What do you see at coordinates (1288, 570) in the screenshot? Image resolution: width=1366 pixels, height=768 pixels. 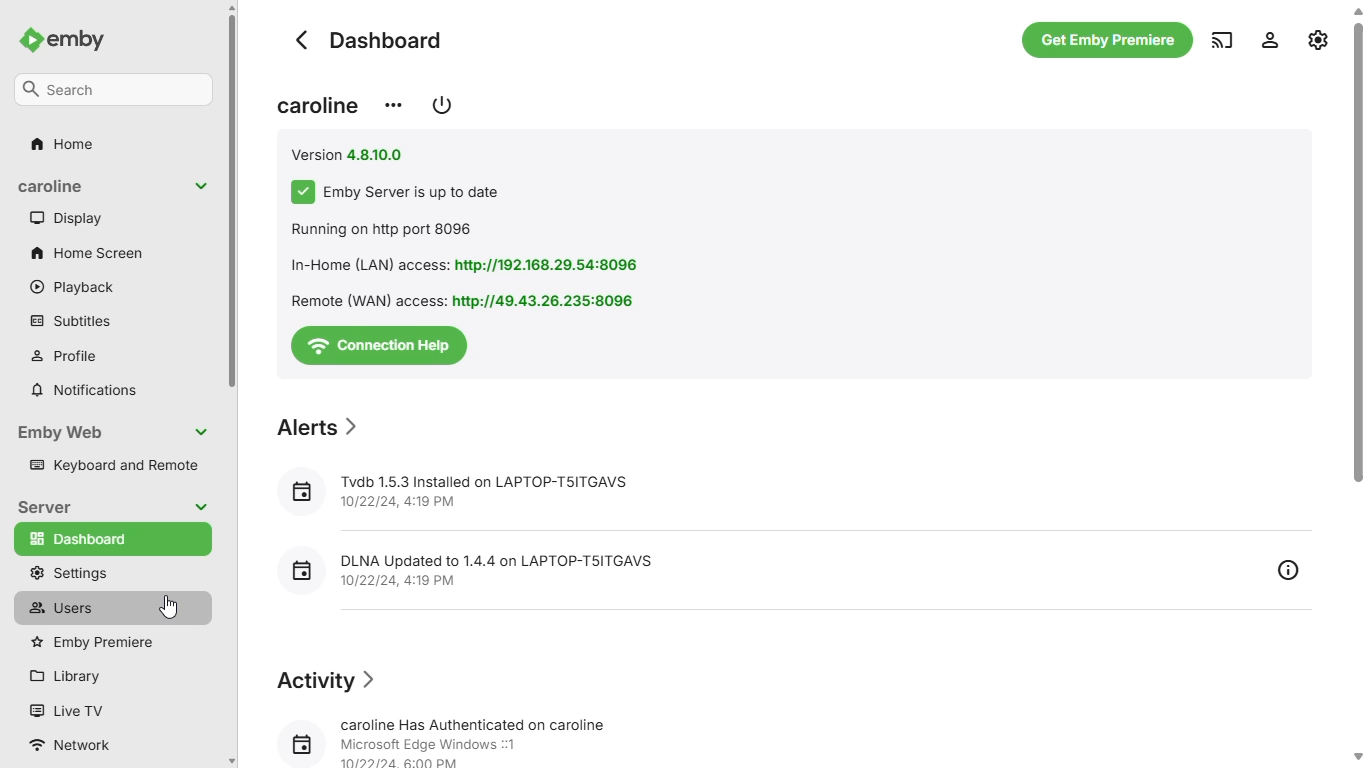 I see `overview` at bounding box center [1288, 570].